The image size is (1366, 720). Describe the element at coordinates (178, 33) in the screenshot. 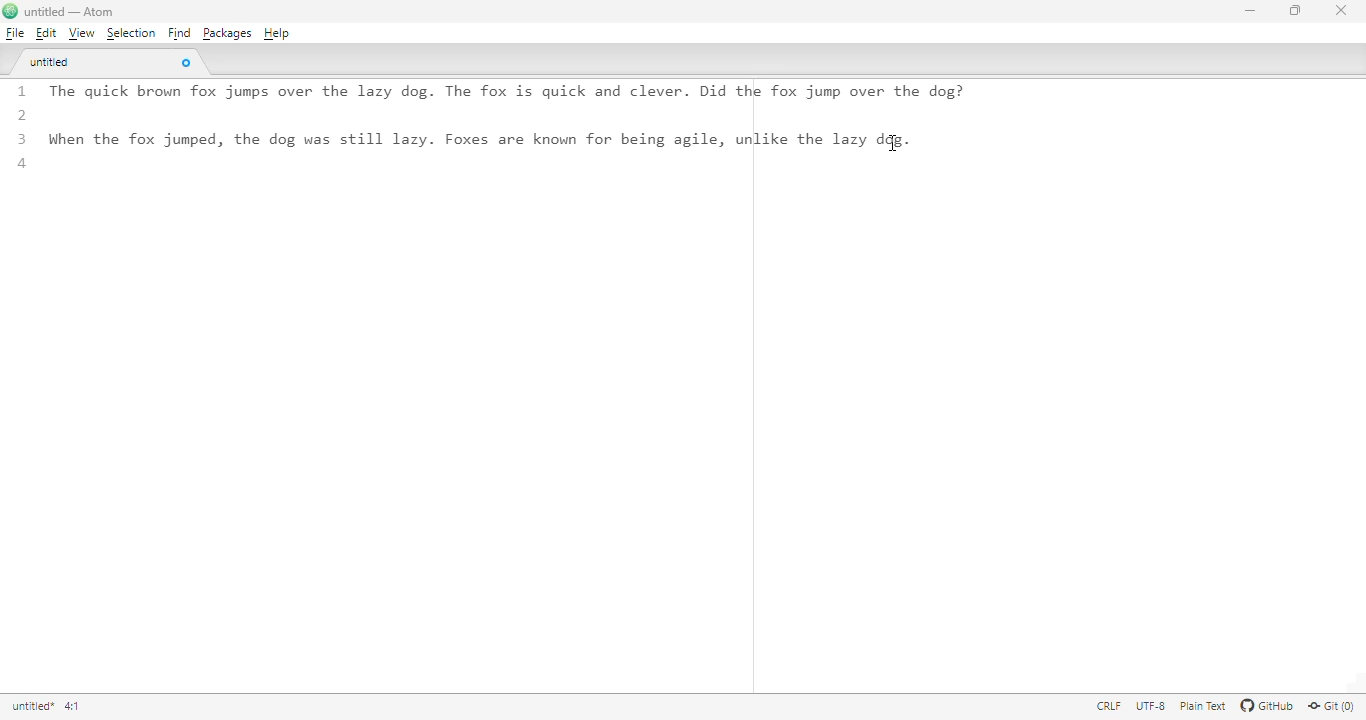

I see `find` at that location.